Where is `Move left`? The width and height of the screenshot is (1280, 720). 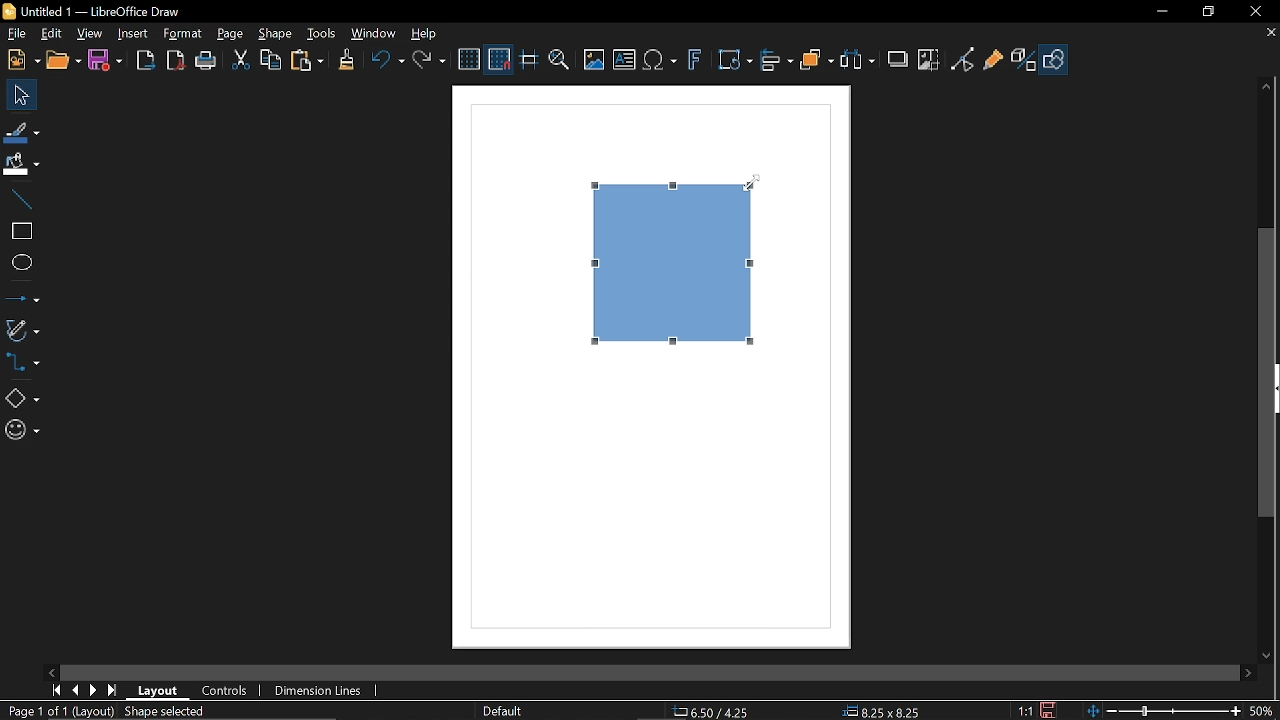
Move left is located at coordinates (49, 669).